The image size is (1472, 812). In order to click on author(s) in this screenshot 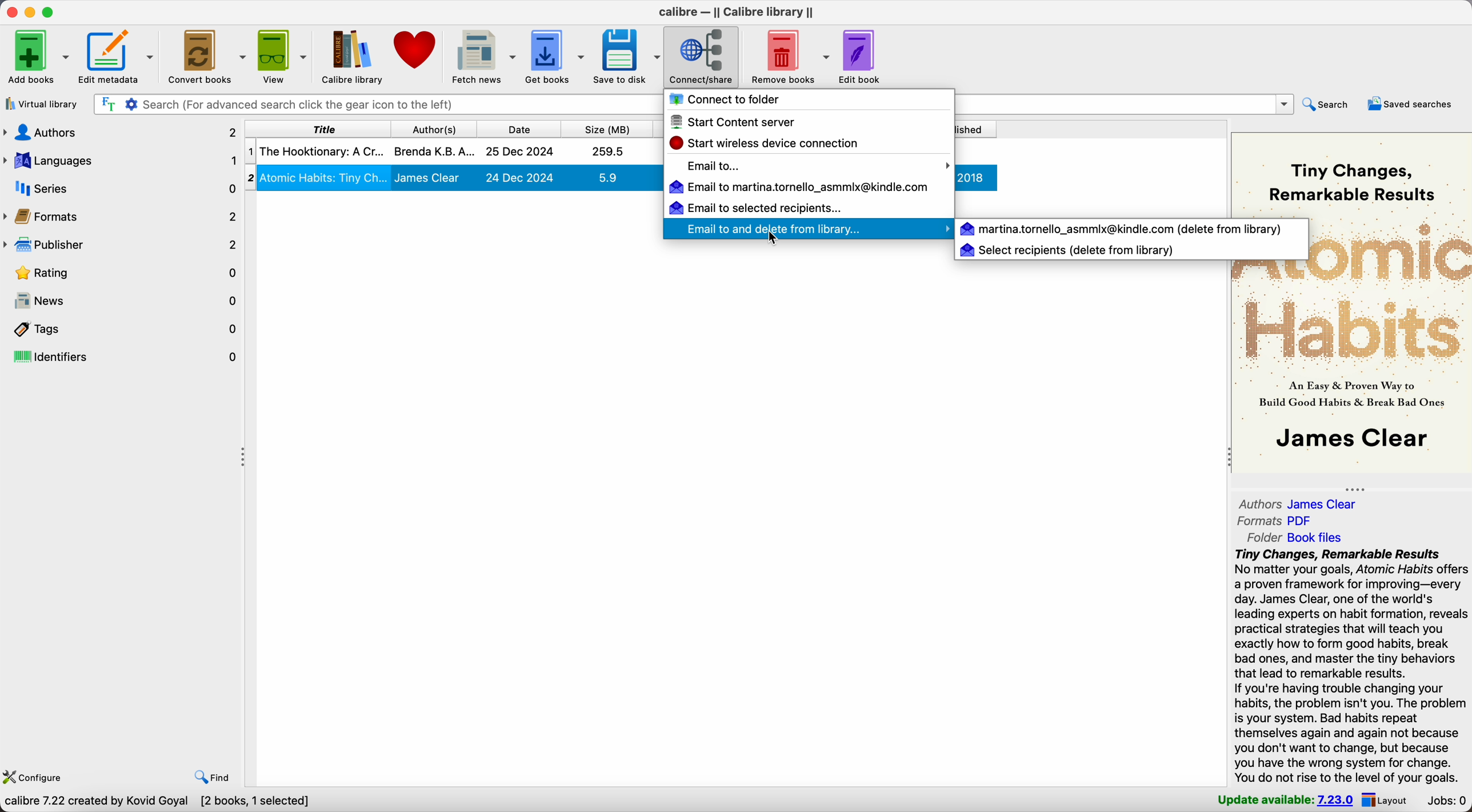, I will do `click(431, 128)`.